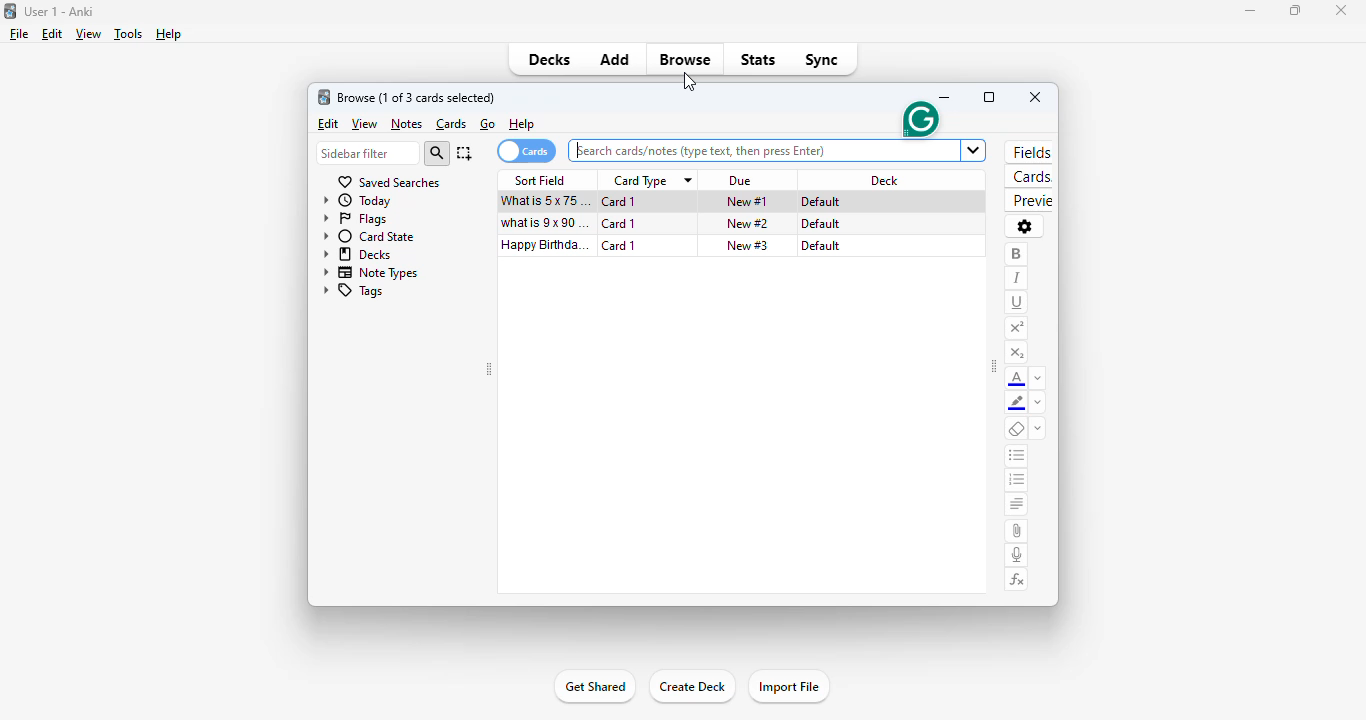 The image size is (1366, 720). I want to click on happy birthday song!!!.mp3, so click(545, 243).